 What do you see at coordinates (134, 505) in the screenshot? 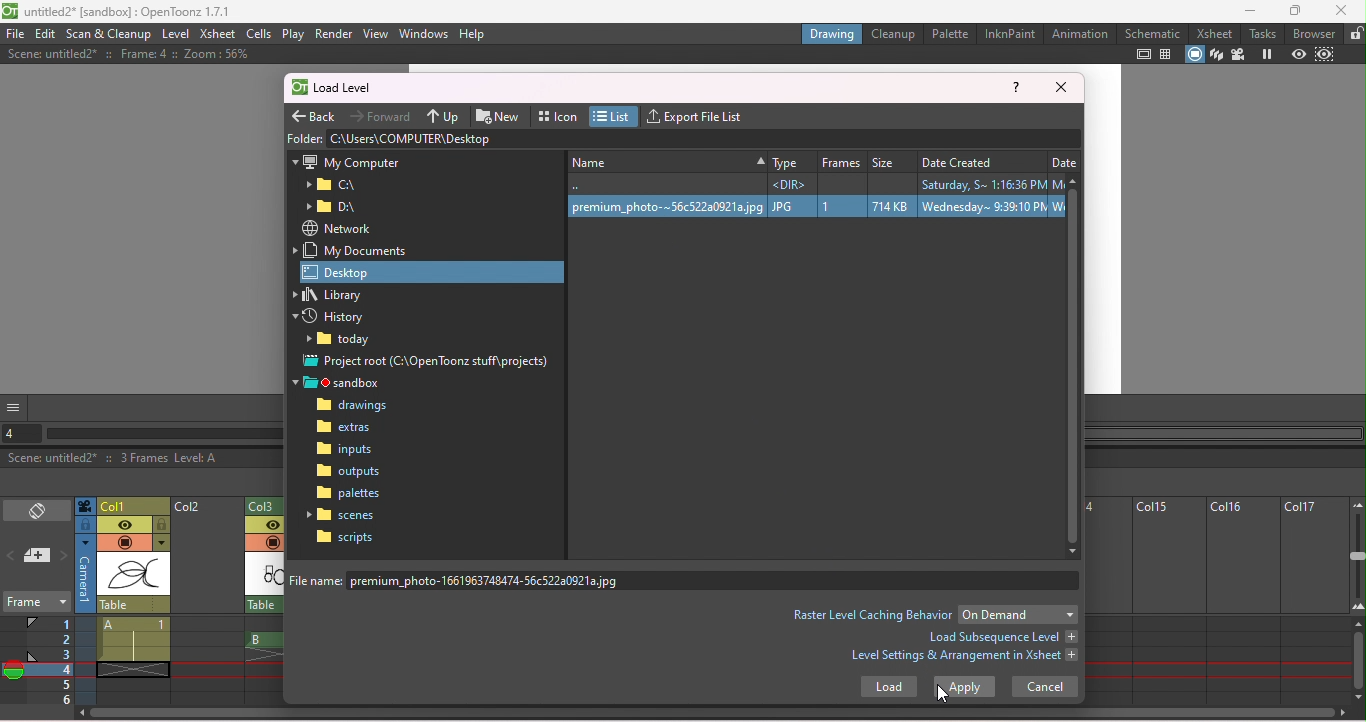
I see `Click to select colun` at bounding box center [134, 505].